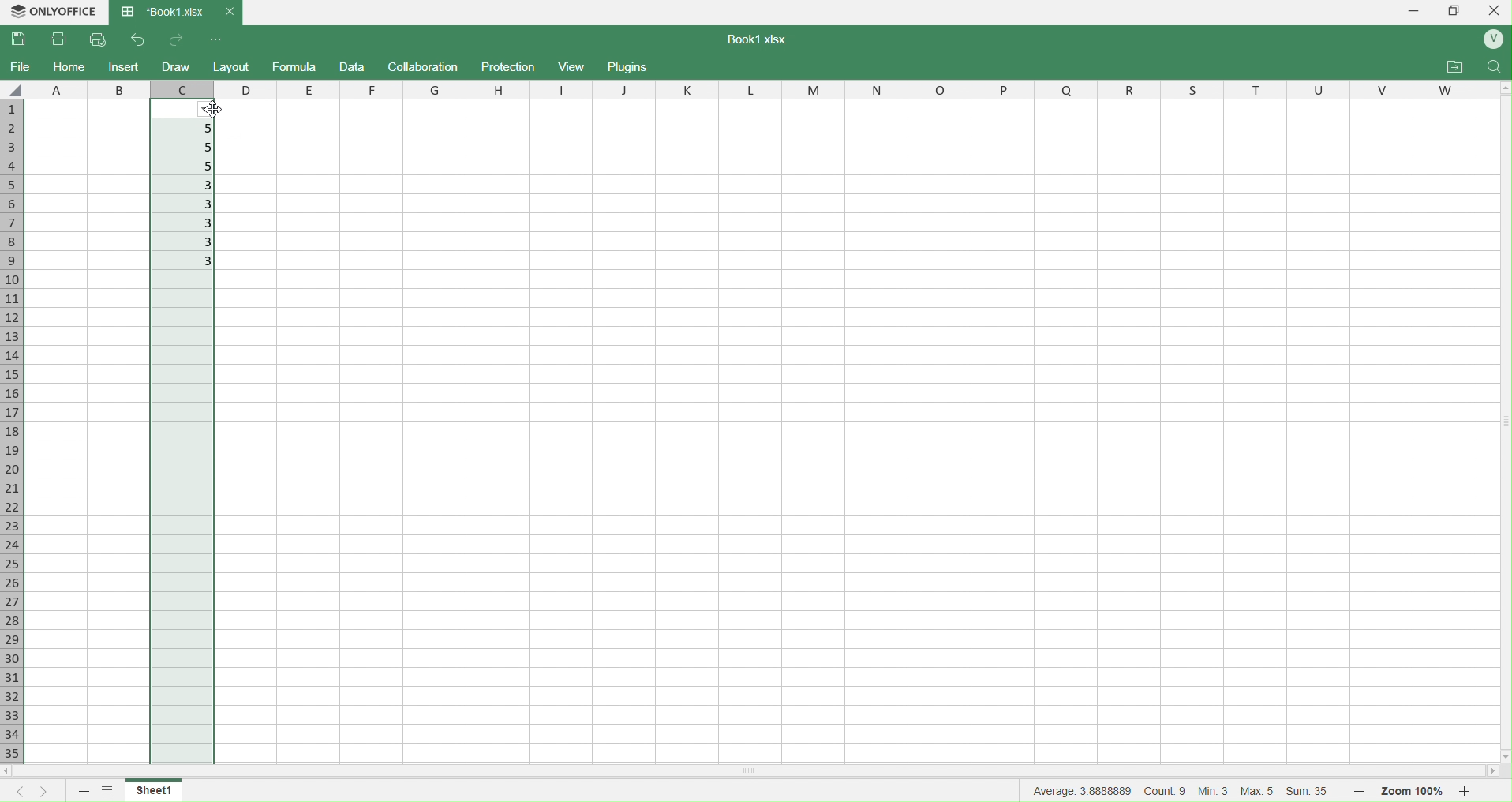 Image resolution: width=1512 pixels, height=802 pixels. I want to click on Draft, so click(351, 67).